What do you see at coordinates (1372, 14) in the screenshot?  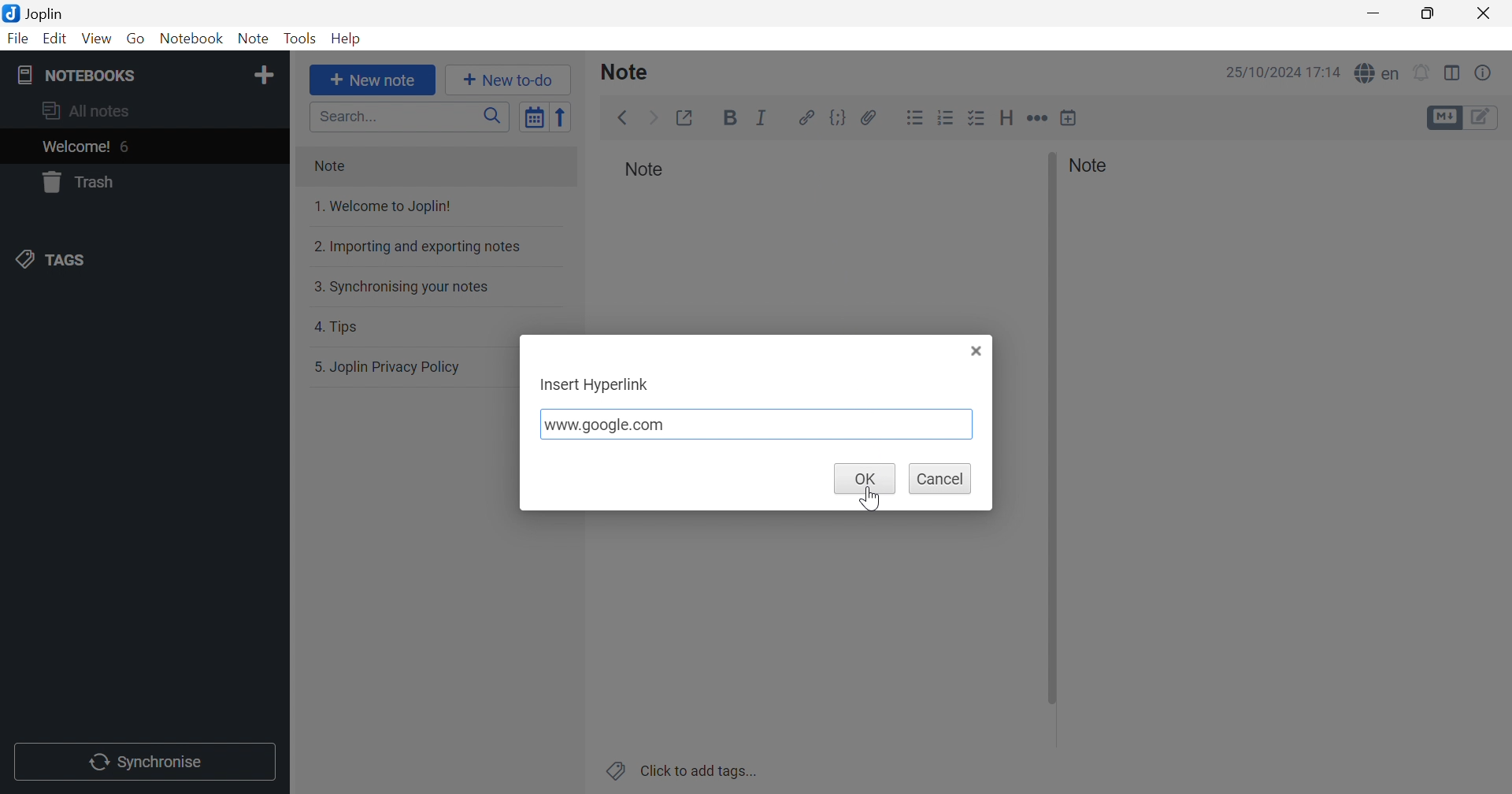 I see `Minimize` at bounding box center [1372, 14].